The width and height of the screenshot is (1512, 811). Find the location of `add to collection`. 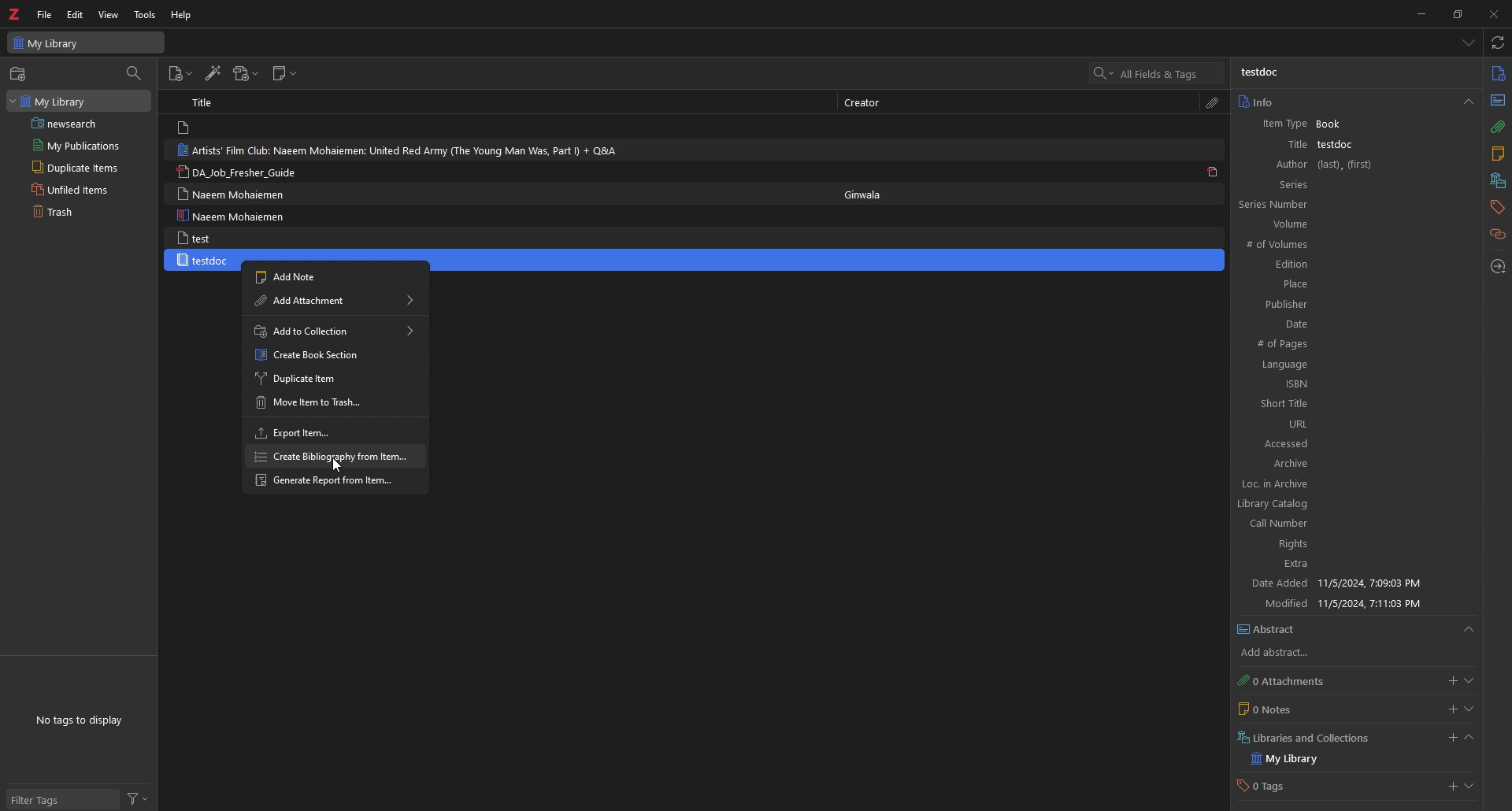

add to collection is located at coordinates (335, 331).